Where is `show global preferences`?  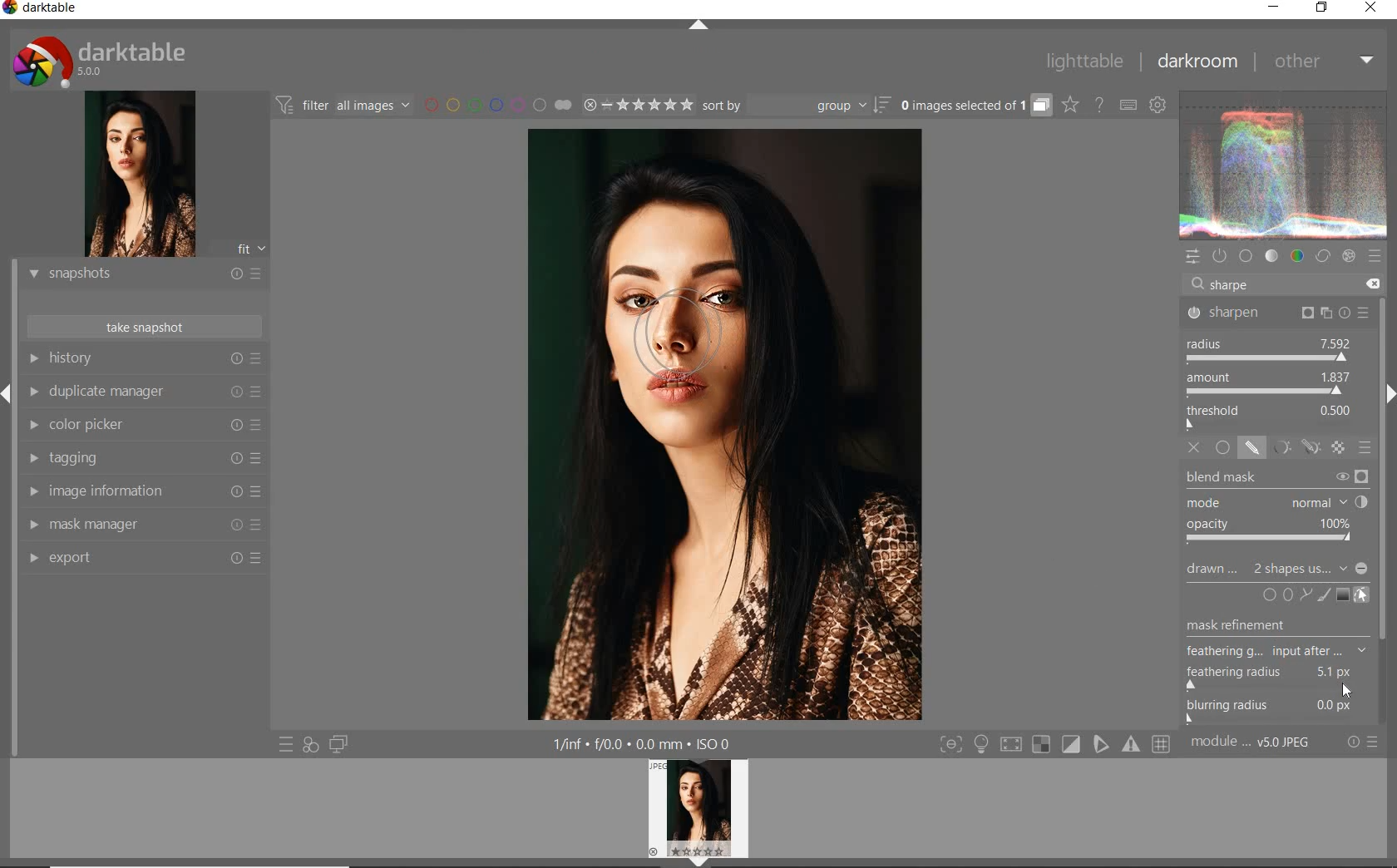 show global preferences is located at coordinates (1158, 105).